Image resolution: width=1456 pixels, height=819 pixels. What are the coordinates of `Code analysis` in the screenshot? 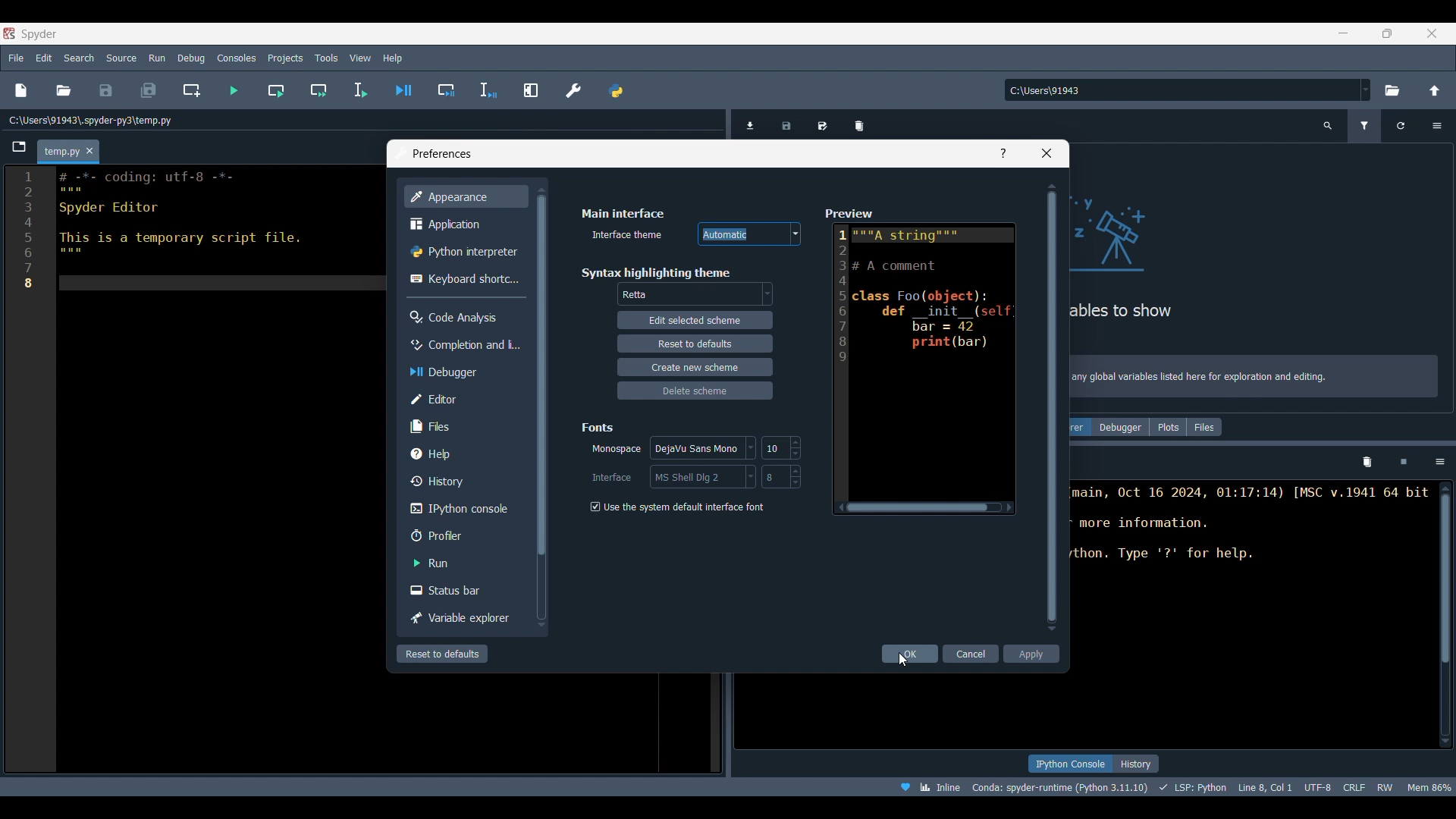 It's located at (465, 317).